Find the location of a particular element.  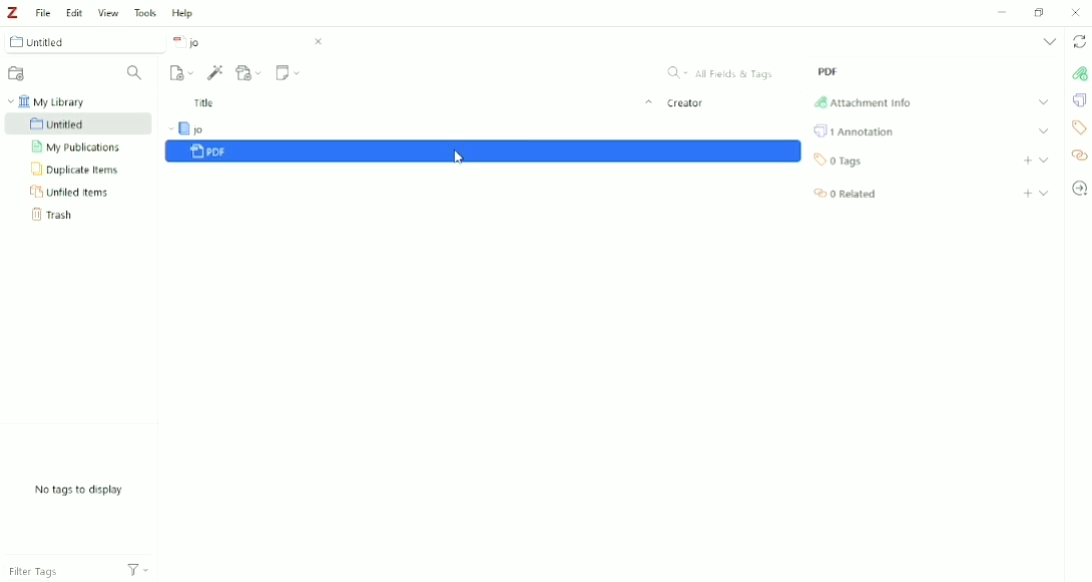

jo is located at coordinates (212, 128).